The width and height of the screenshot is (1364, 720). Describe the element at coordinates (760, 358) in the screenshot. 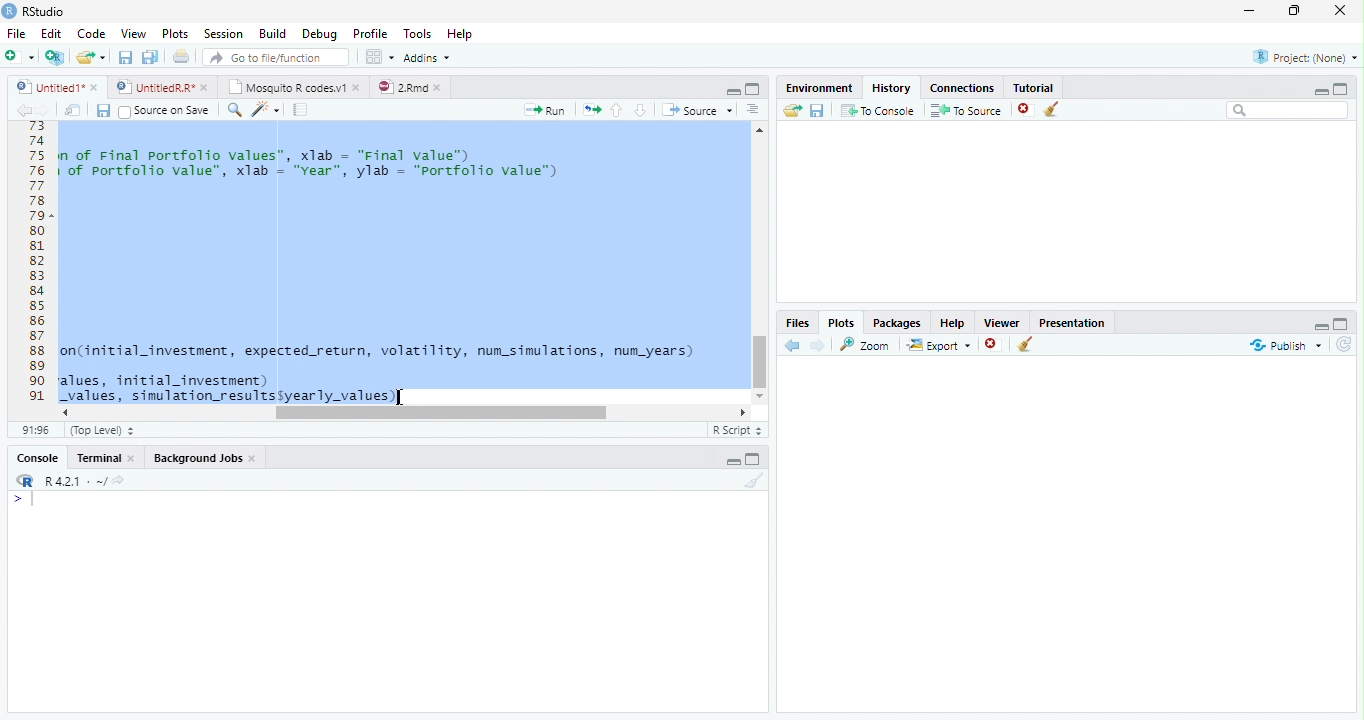

I see `Scroll Bar` at that location.